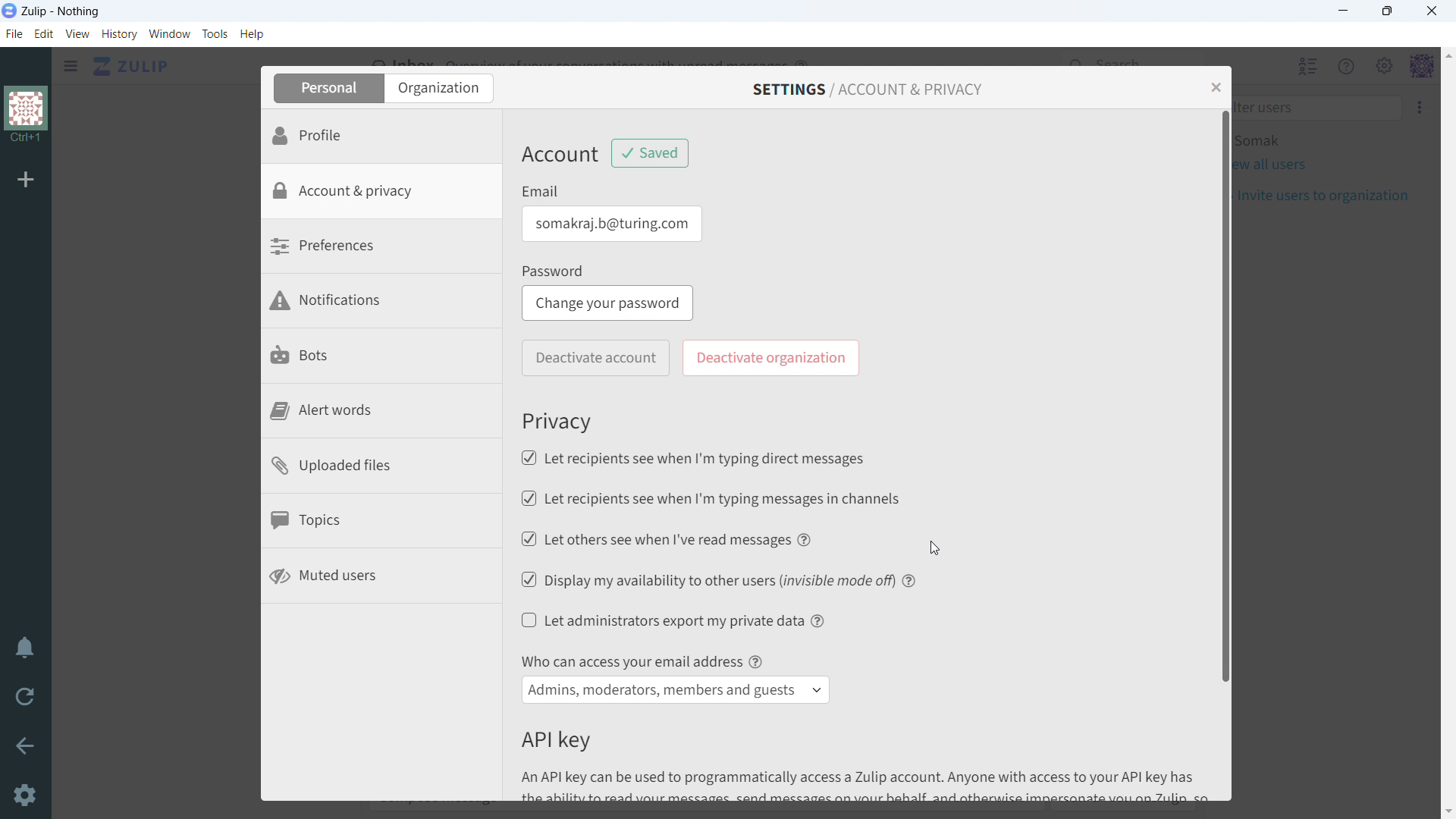  What do you see at coordinates (1385, 67) in the screenshot?
I see `main menu` at bounding box center [1385, 67].